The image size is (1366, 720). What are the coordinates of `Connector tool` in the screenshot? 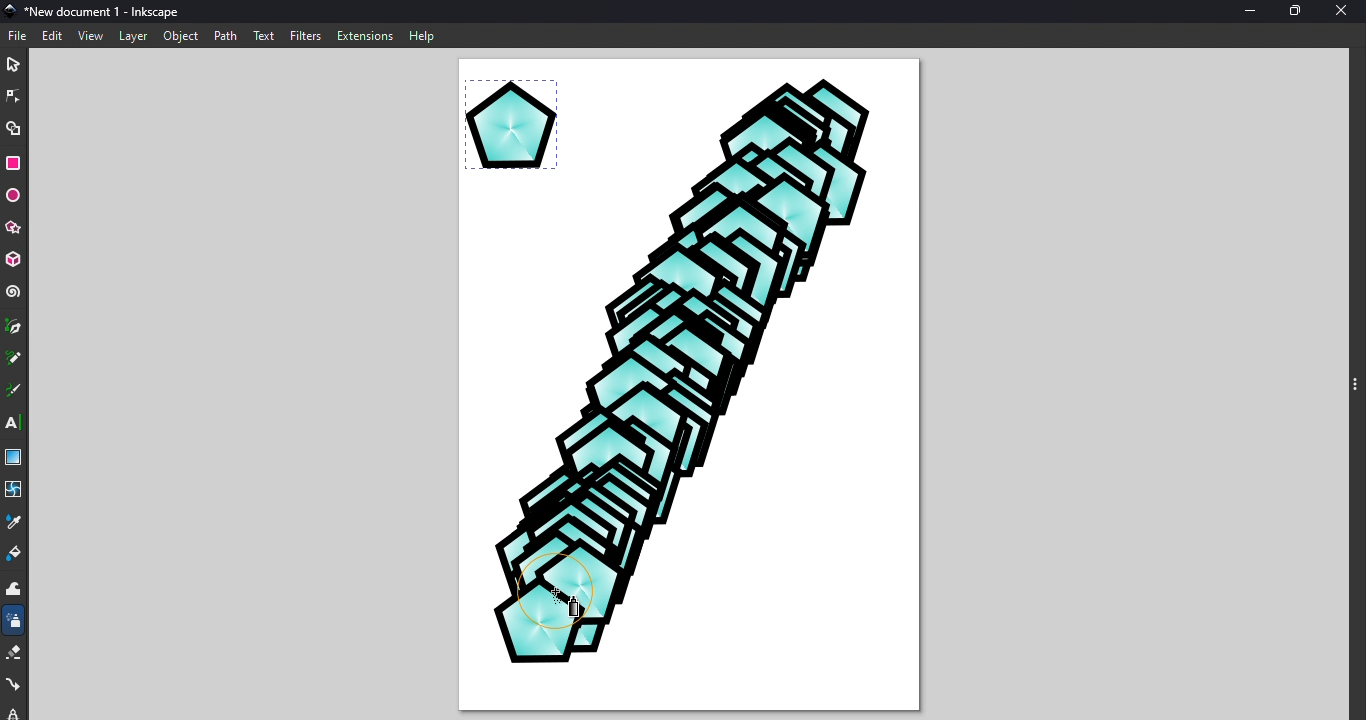 It's located at (16, 682).